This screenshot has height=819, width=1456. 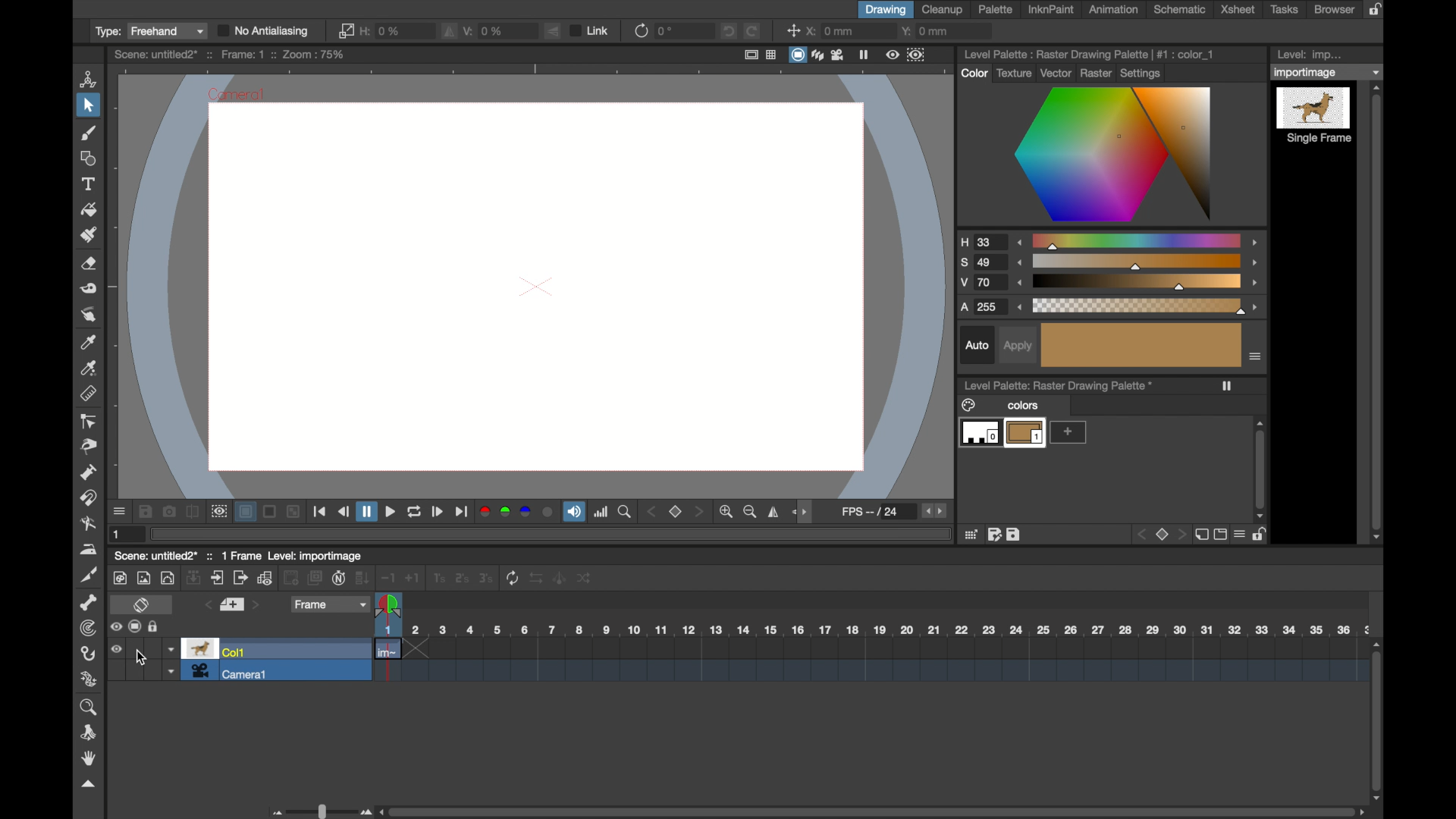 I want to click on soundtrack, so click(x=574, y=513).